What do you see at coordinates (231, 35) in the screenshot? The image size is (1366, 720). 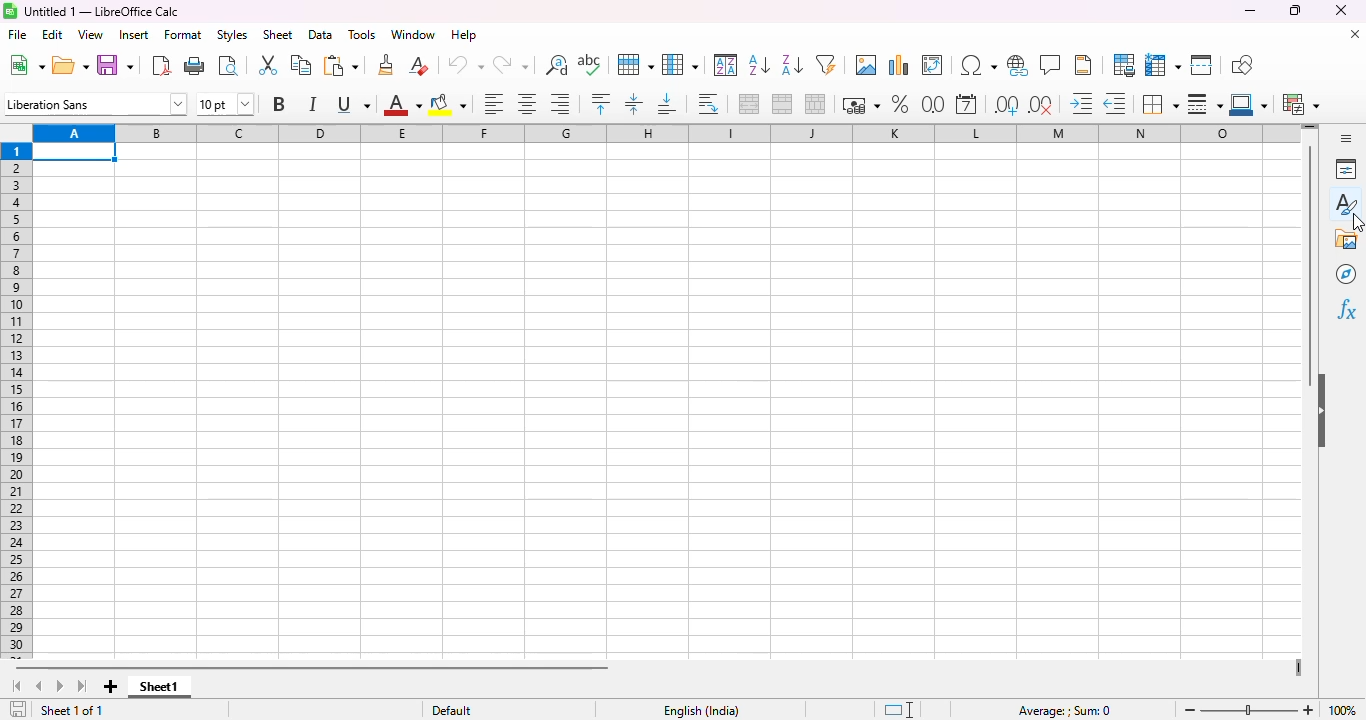 I see `styles` at bounding box center [231, 35].